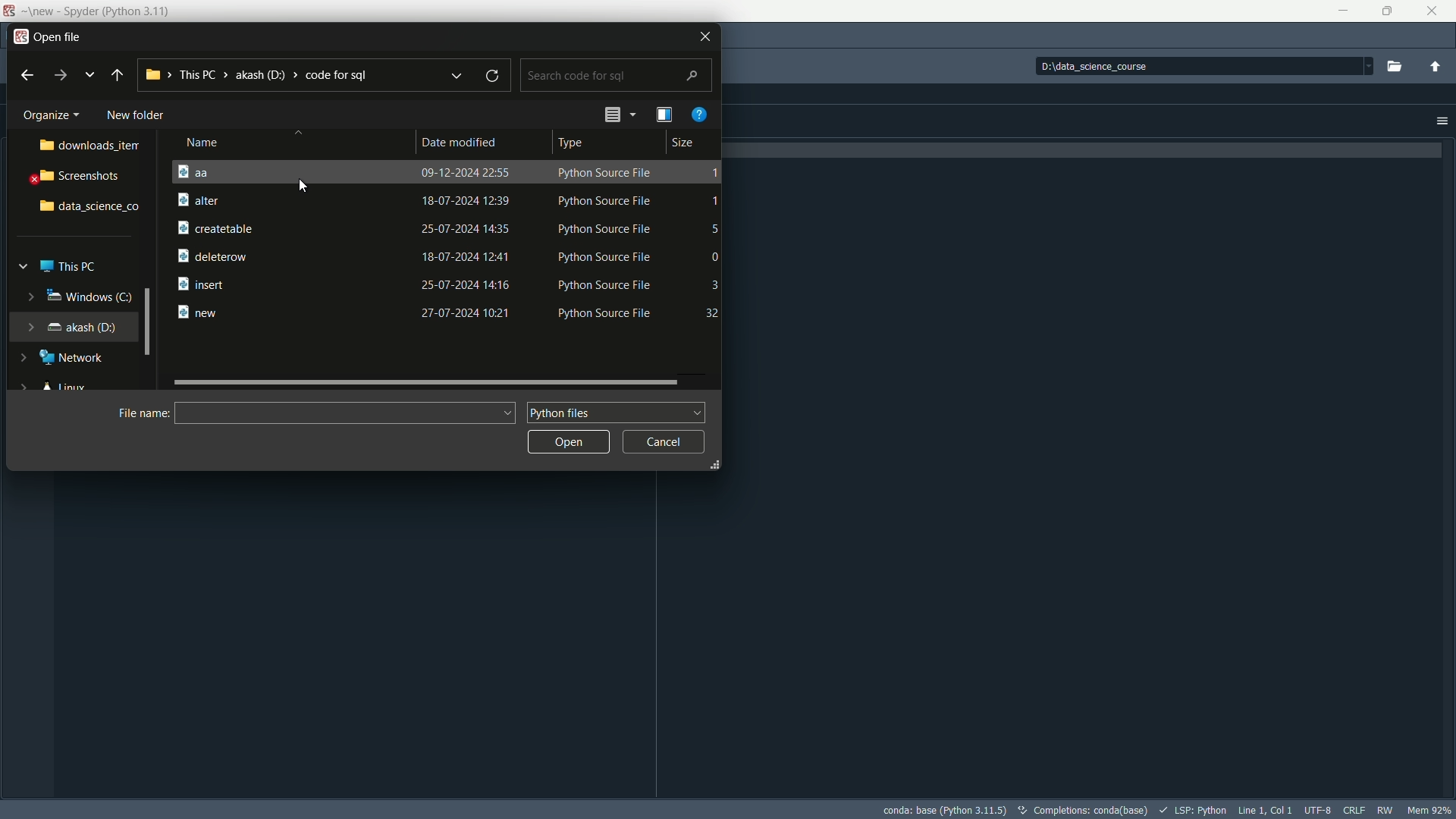 The image size is (1456, 819). Describe the element at coordinates (427, 380) in the screenshot. I see `Scrollbar` at that location.